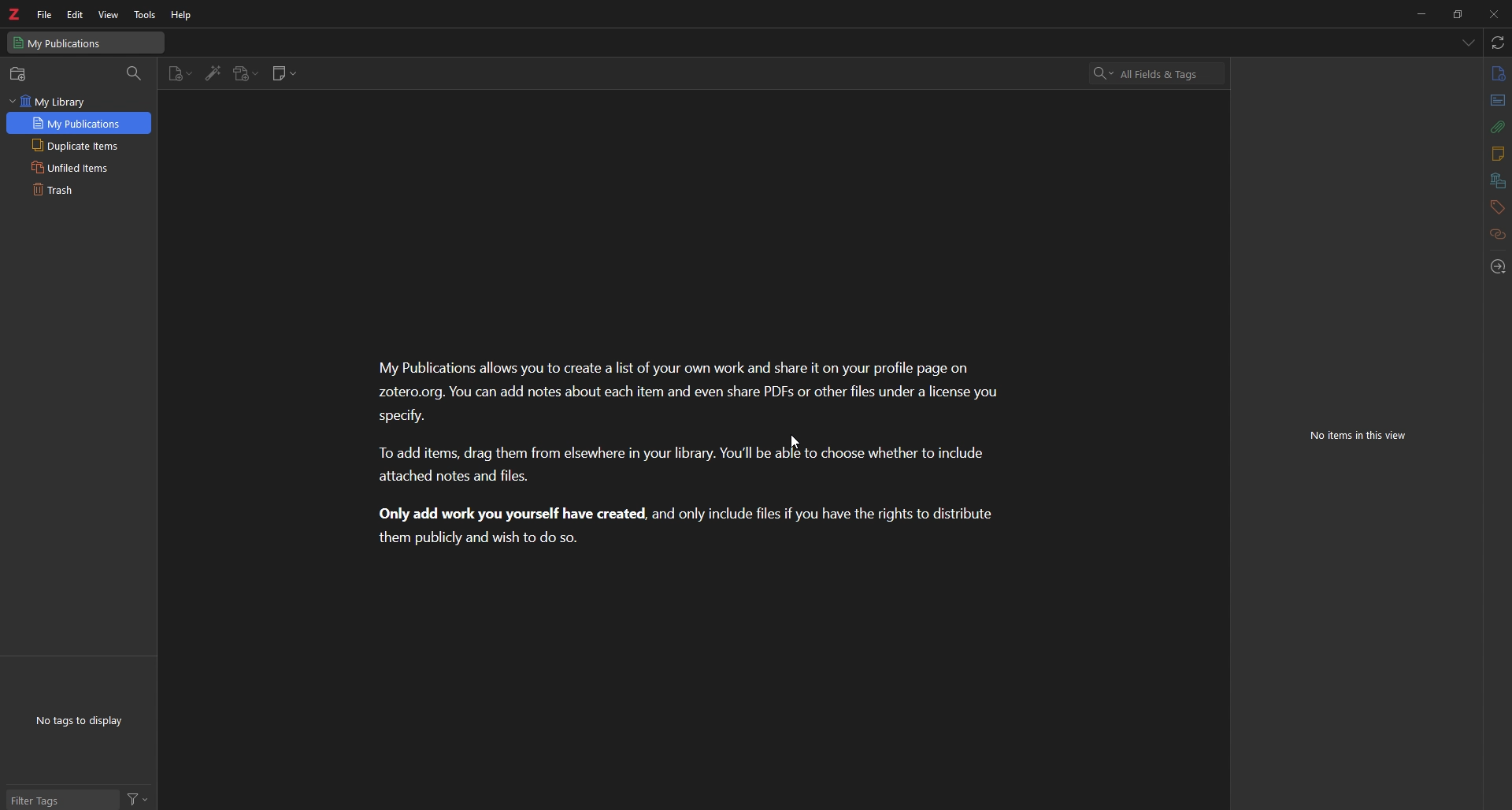  I want to click on Attachments, so click(1495, 129).